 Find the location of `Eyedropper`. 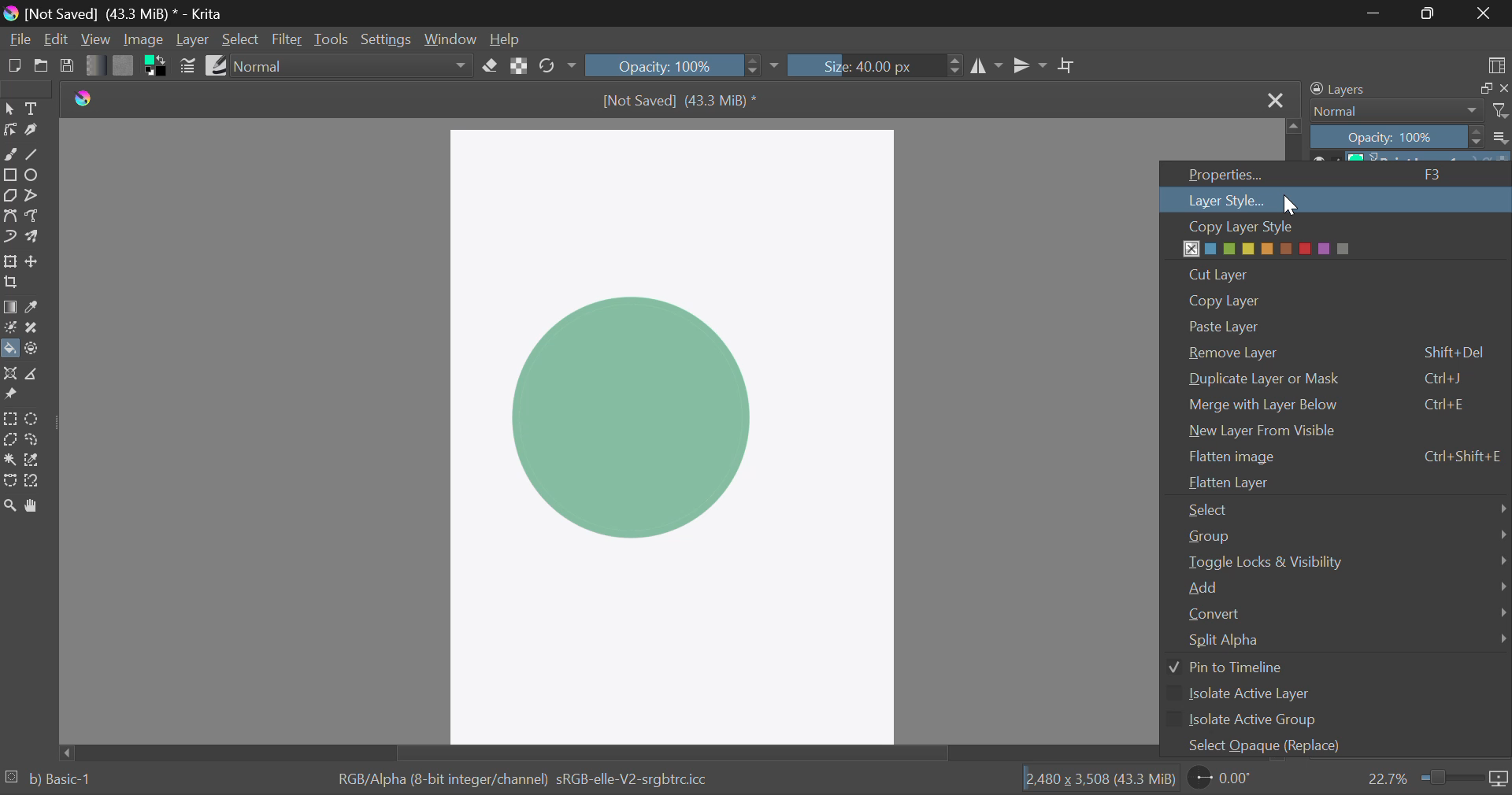

Eyedropper is located at coordinates (35, 306).